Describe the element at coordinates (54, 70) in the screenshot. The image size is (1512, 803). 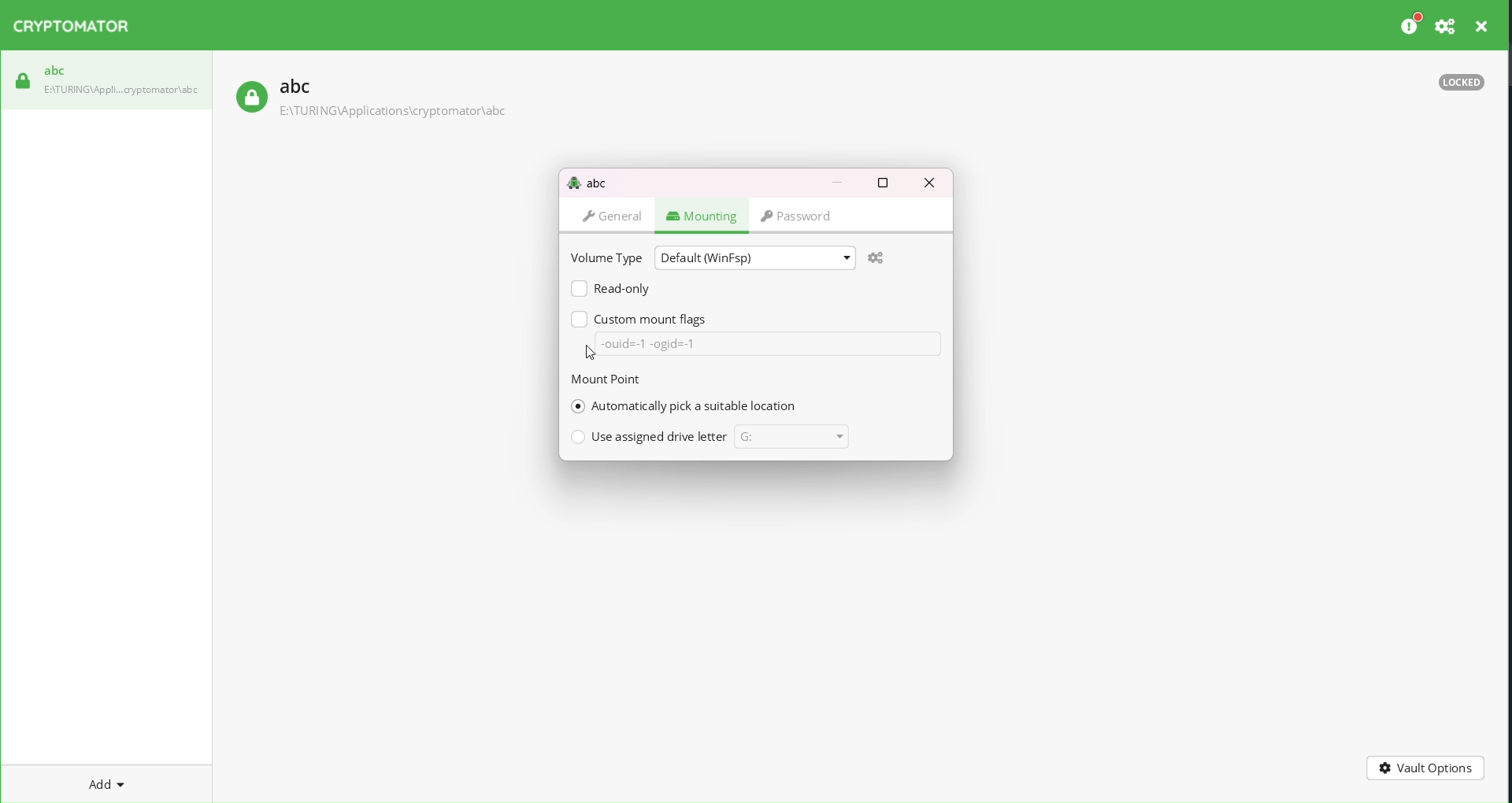
I see `abc` at that location.